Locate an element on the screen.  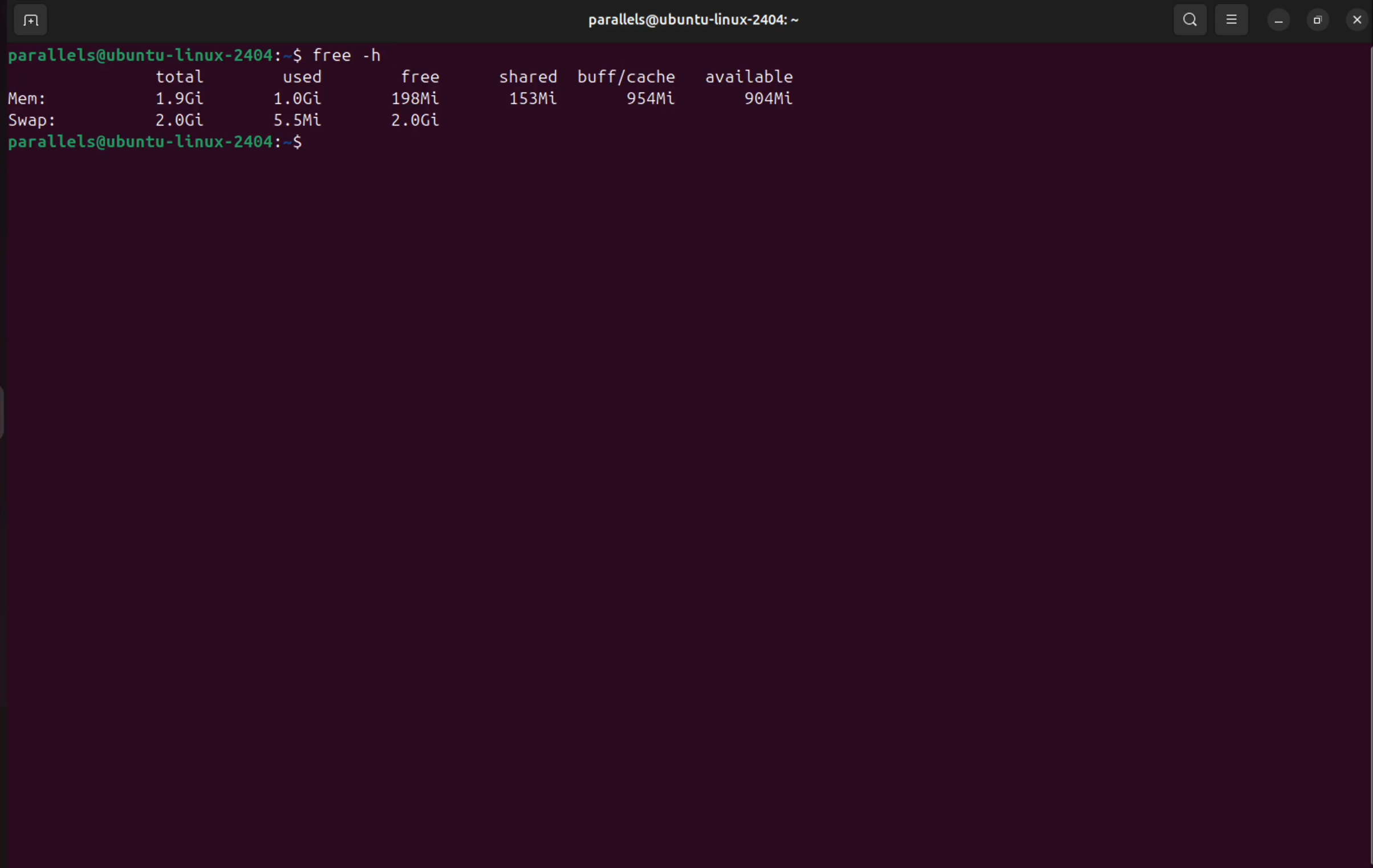
close is located at coordinates (1356, 20).